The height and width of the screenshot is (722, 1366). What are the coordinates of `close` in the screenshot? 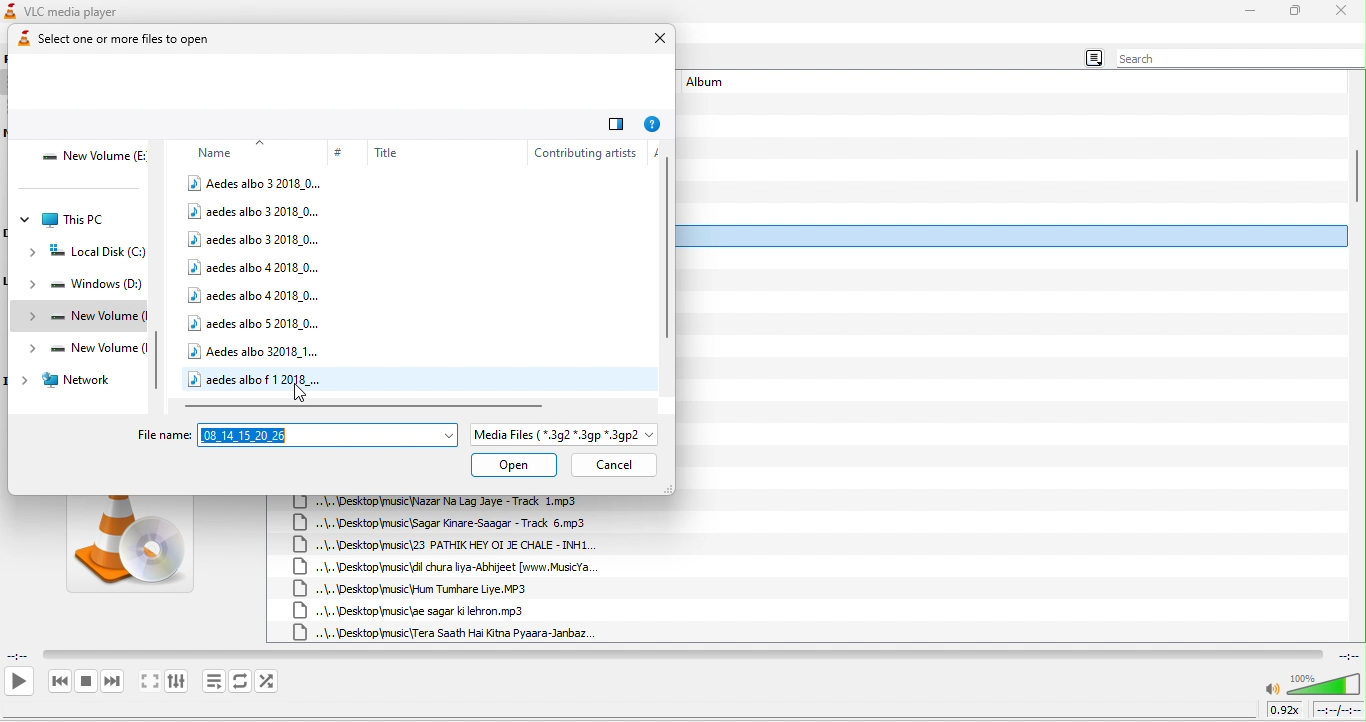 It's located at (1342, 11).